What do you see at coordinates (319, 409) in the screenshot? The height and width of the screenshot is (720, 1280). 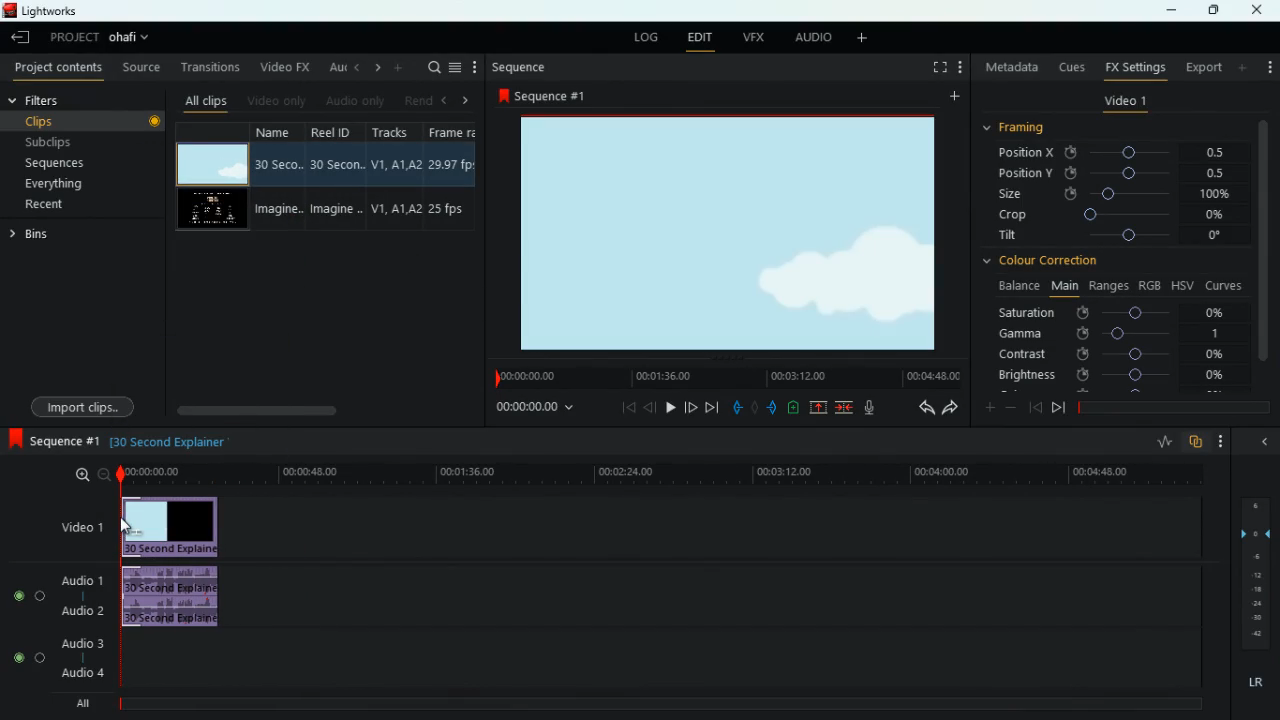 I see `scroll` at bounding box center [319, 409].